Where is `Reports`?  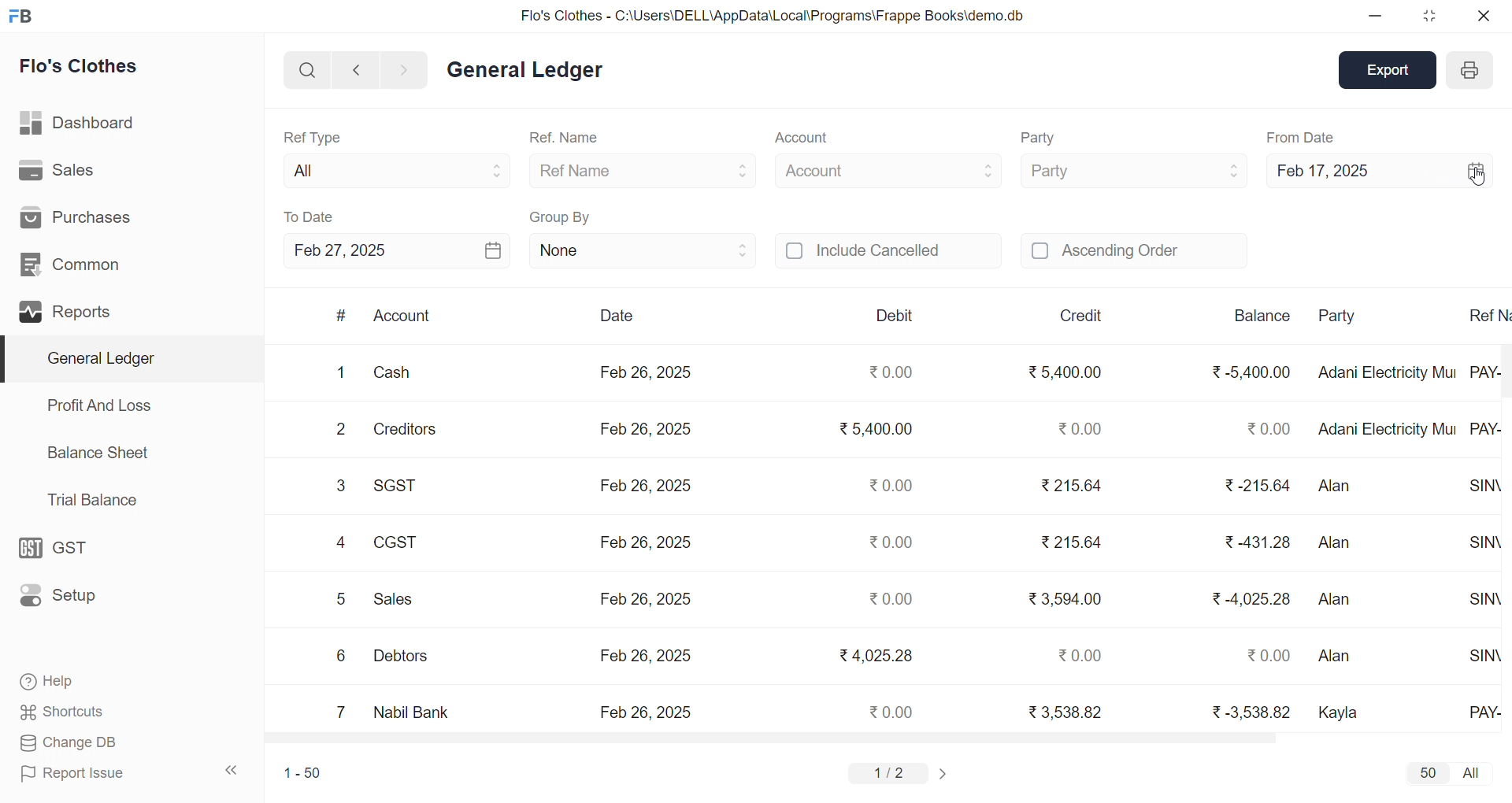 Reports is located at coordinates (68, 309).